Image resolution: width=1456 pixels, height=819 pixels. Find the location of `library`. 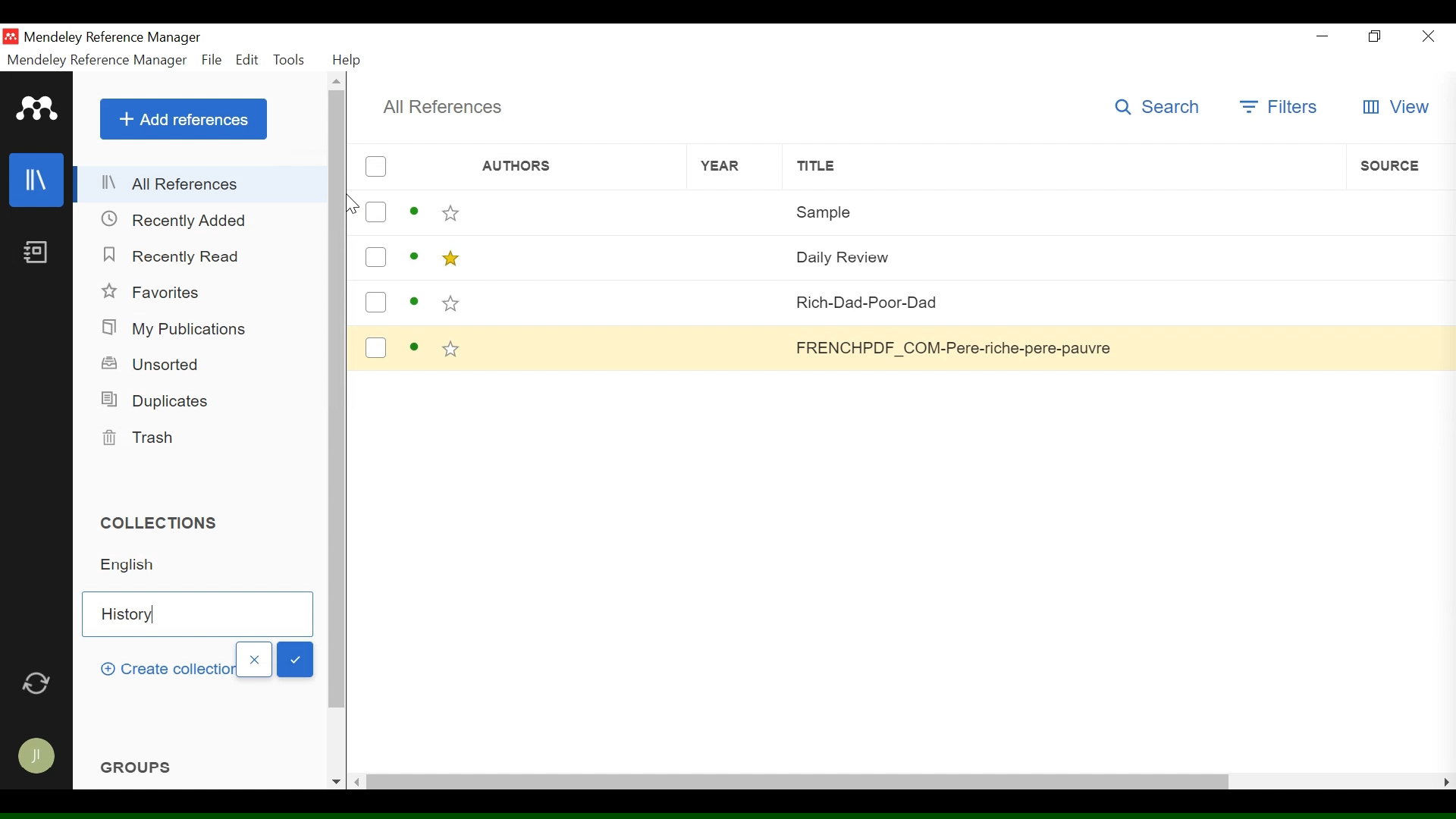

library is located at coordinates (37, 182).